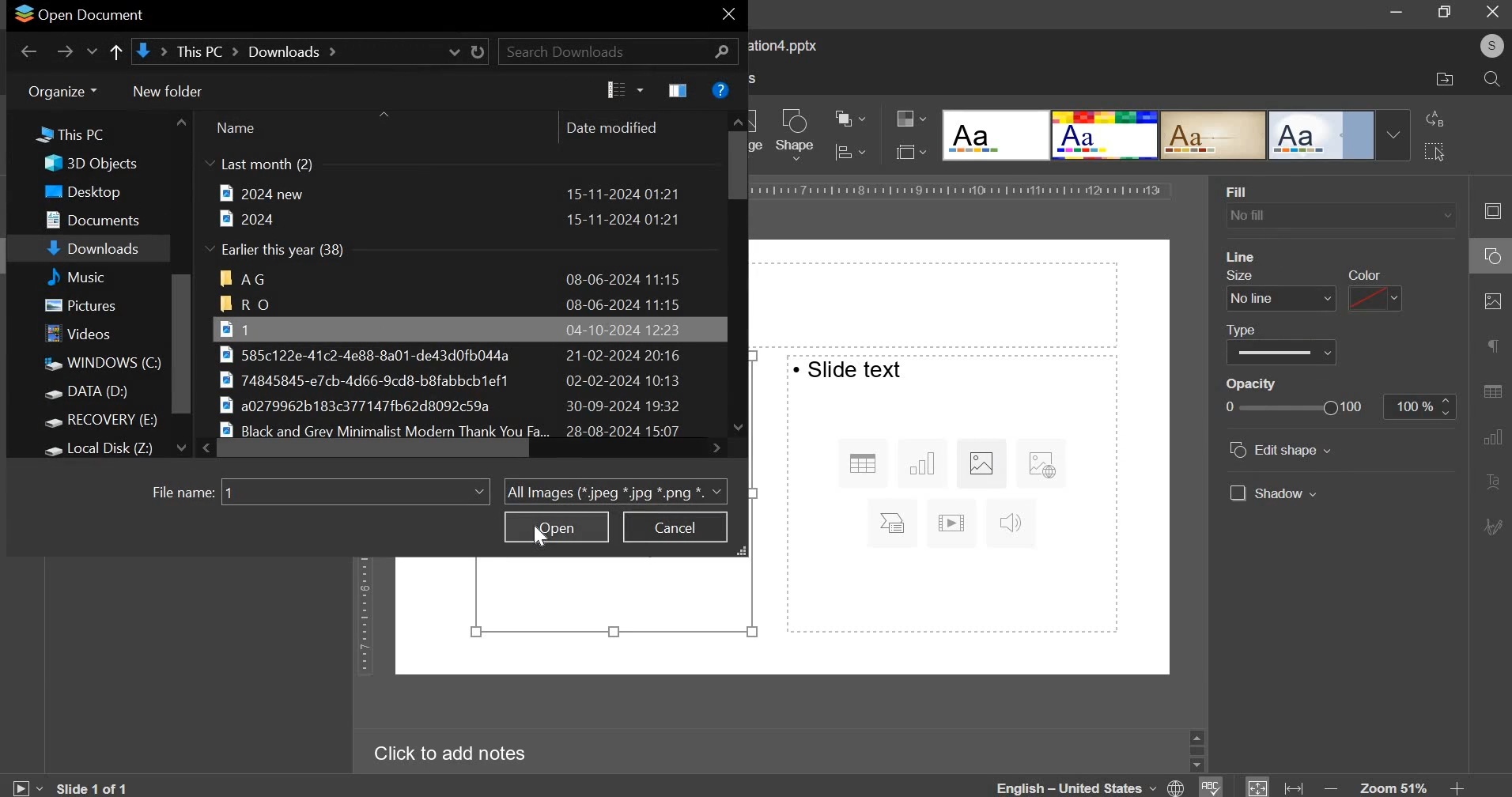 Image resolution: width=1512 pixels, height=797 pixels. What do you see at coordinates (1363, 274) in the screenshot?
I see `color` at bounding box center [1363, 274].